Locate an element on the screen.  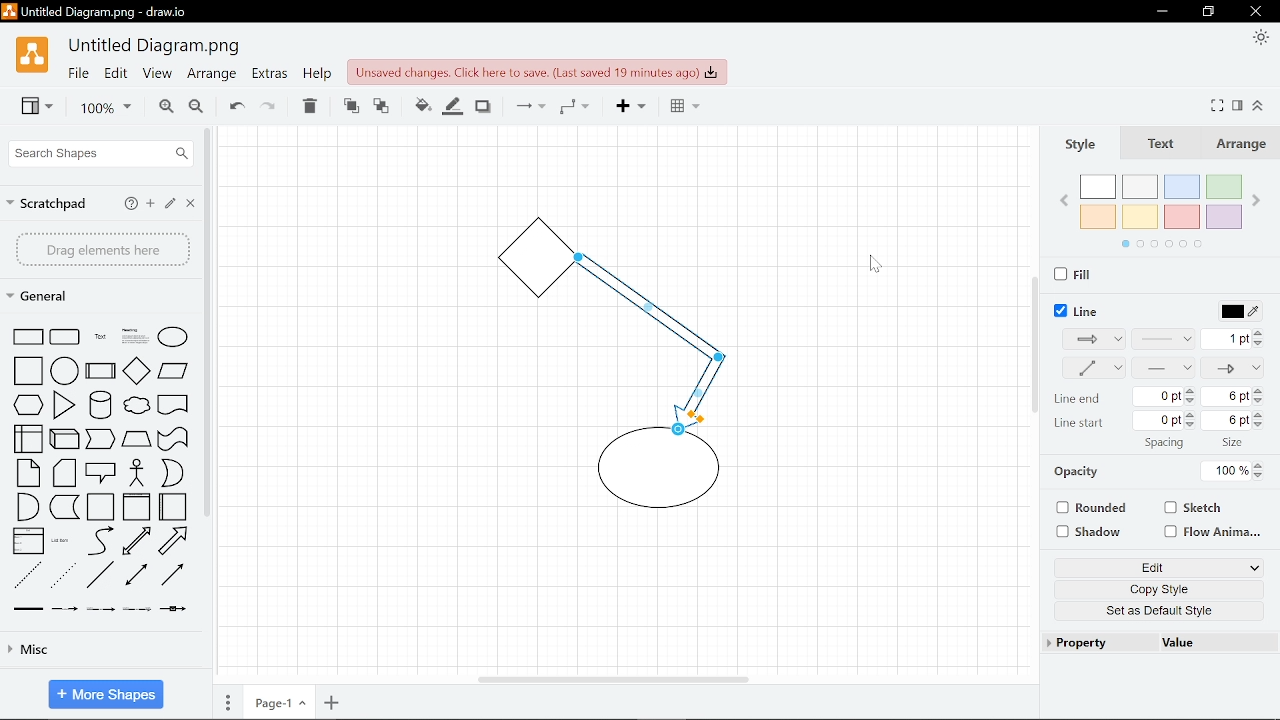
shape is located at coordinates (102, 405).